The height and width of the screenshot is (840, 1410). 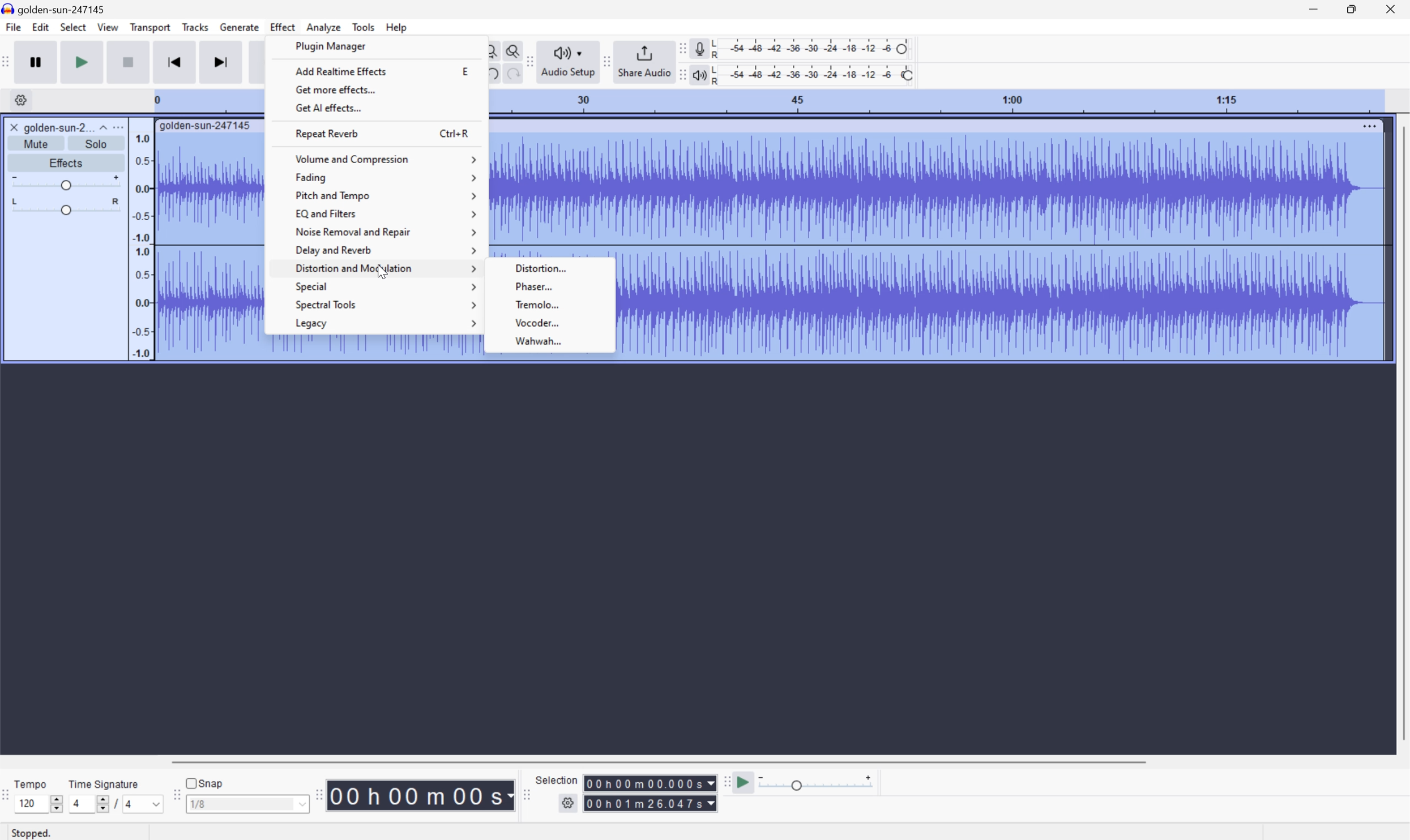 I want to click on Distortion and Modulation, so click(x=385, y=270).